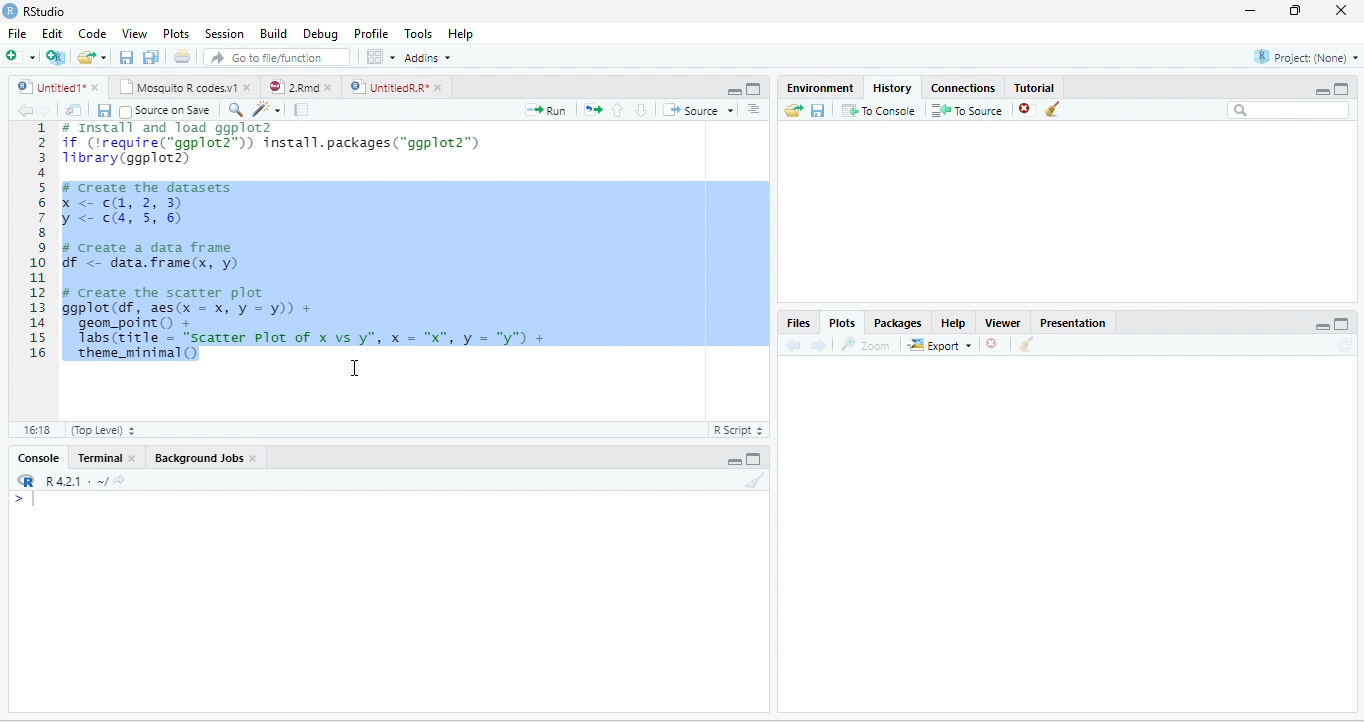 The width and height of the screenshot is (1364, 722). What do you see at coordinates (964, 87) in the screenshot?
I see `Connections` at bounding box center [964, 87].